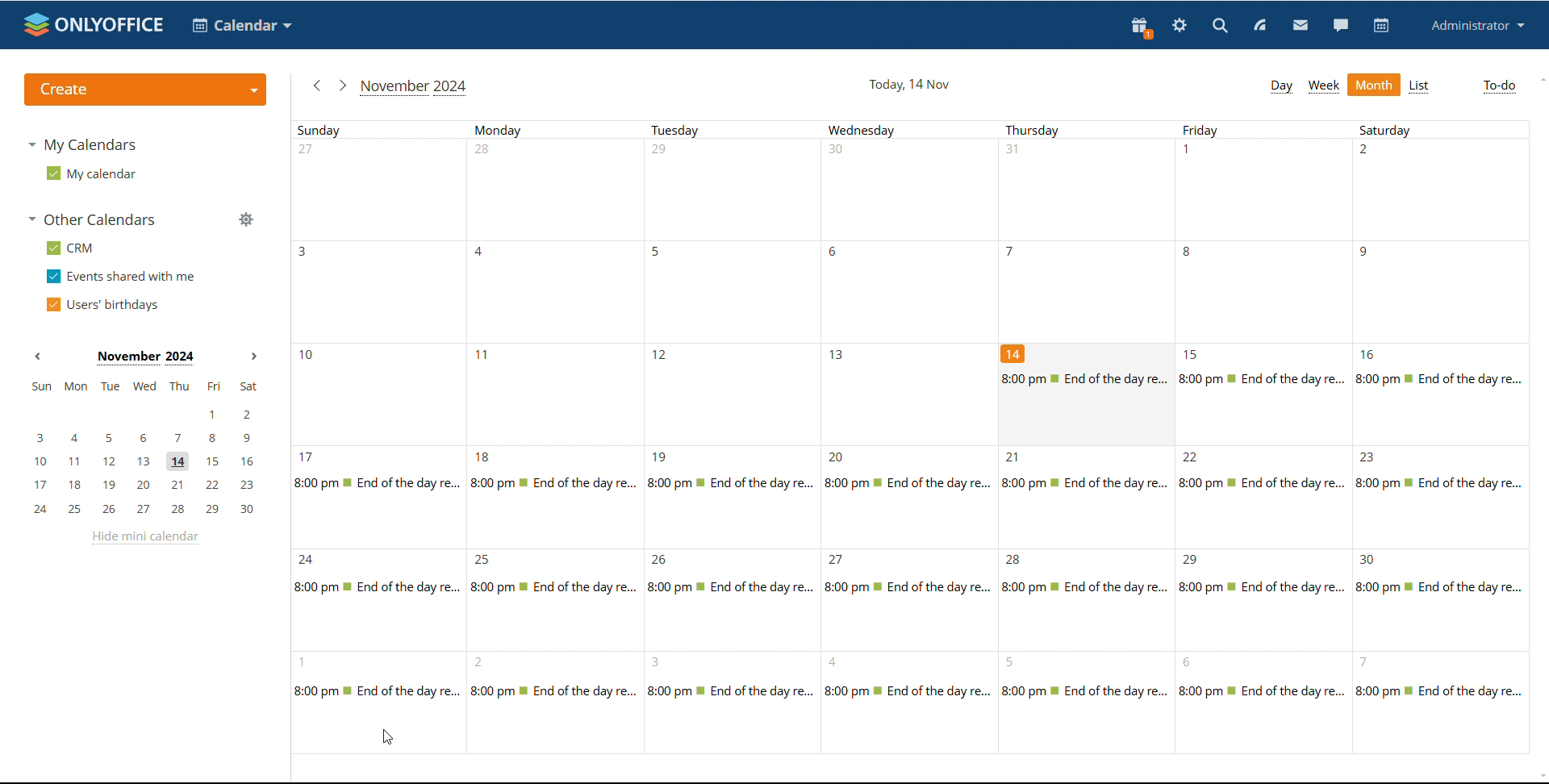  Describe the element at coordinates (1324, 85) in the screenshot. I see `week view` at that location.